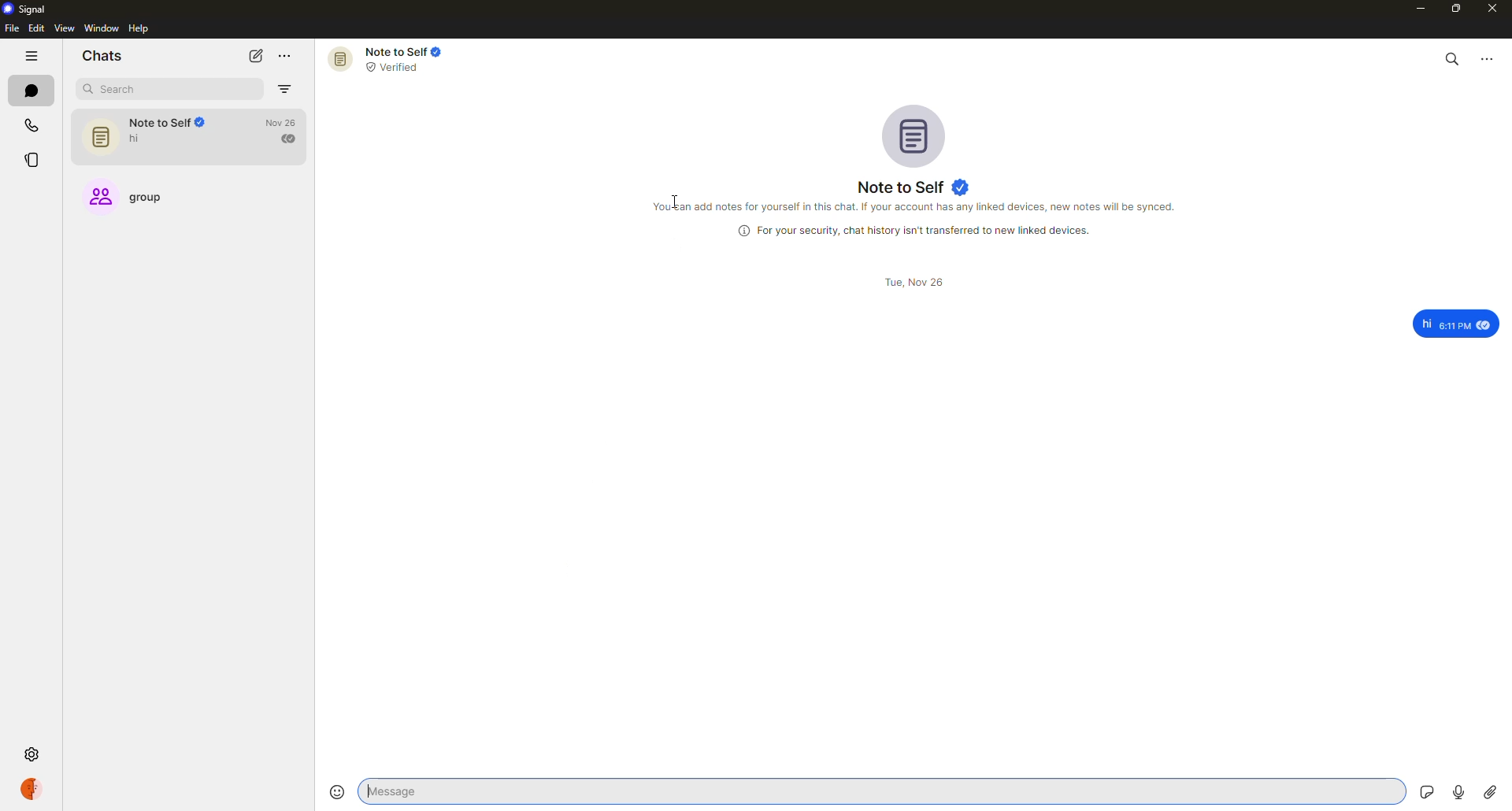  What do you see at coordinates (286, 90) in the screenshot?
I see `filter` at bounding box center [286, 90].